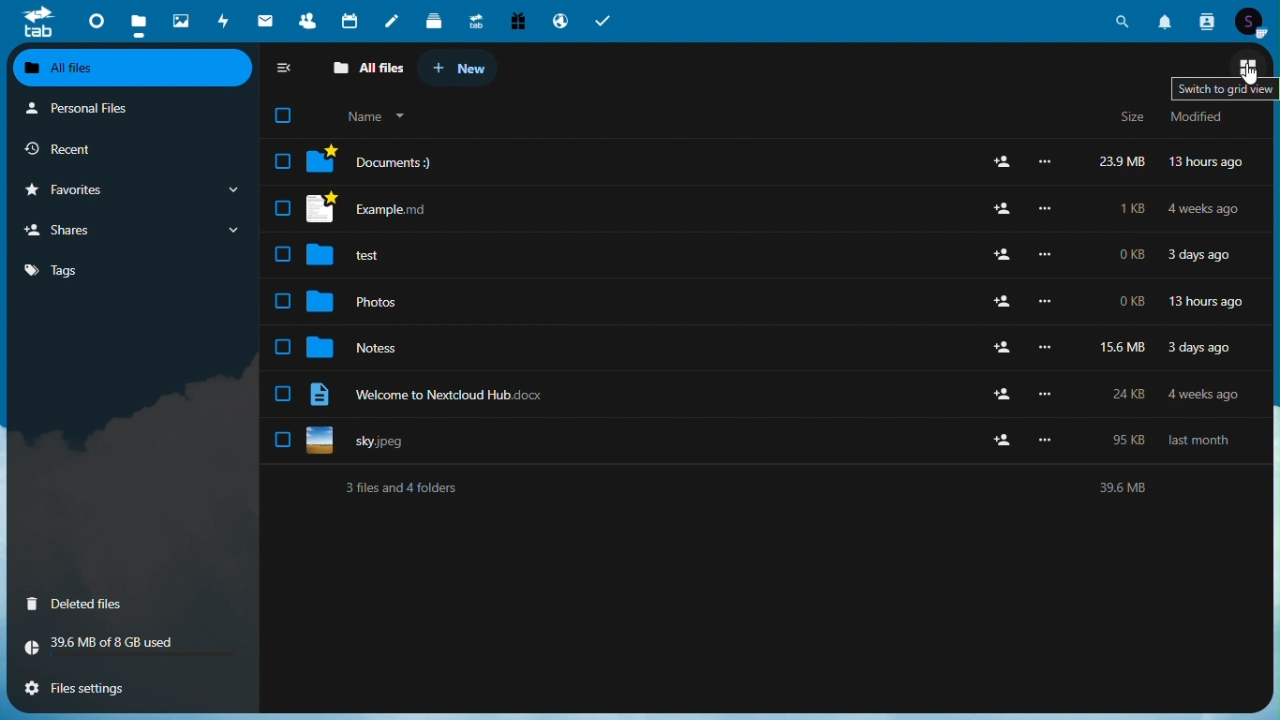 The image size is (1280, 720). I want to click on Search, so click(1127, 19).